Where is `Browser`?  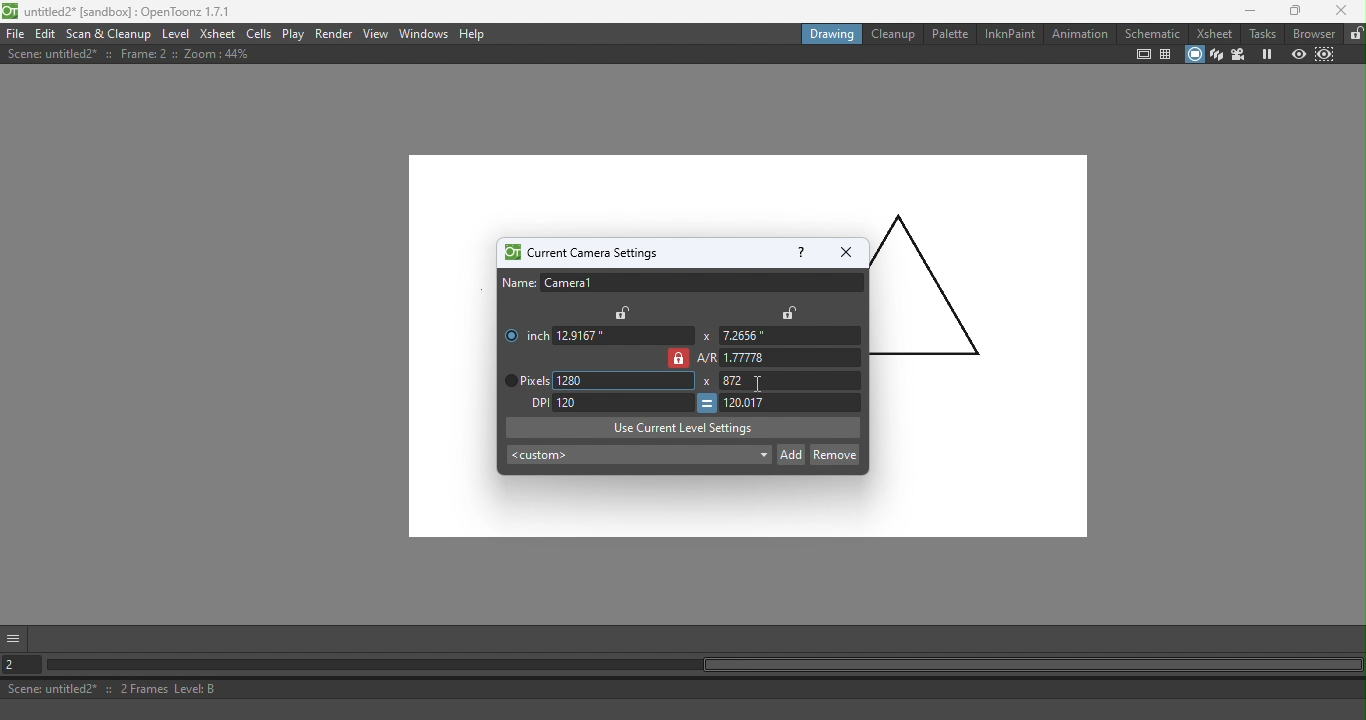
Browser is located at coordinates (1314, 33).